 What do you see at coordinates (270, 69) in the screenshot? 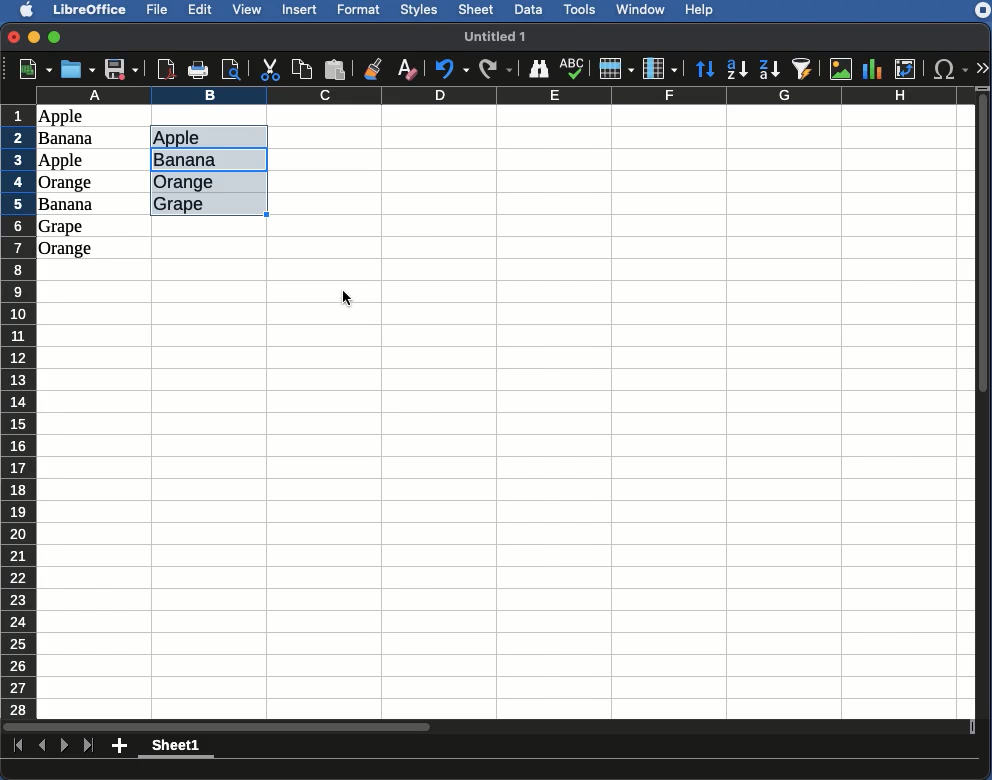
I see `Cut` at bounding box center [270, 69].